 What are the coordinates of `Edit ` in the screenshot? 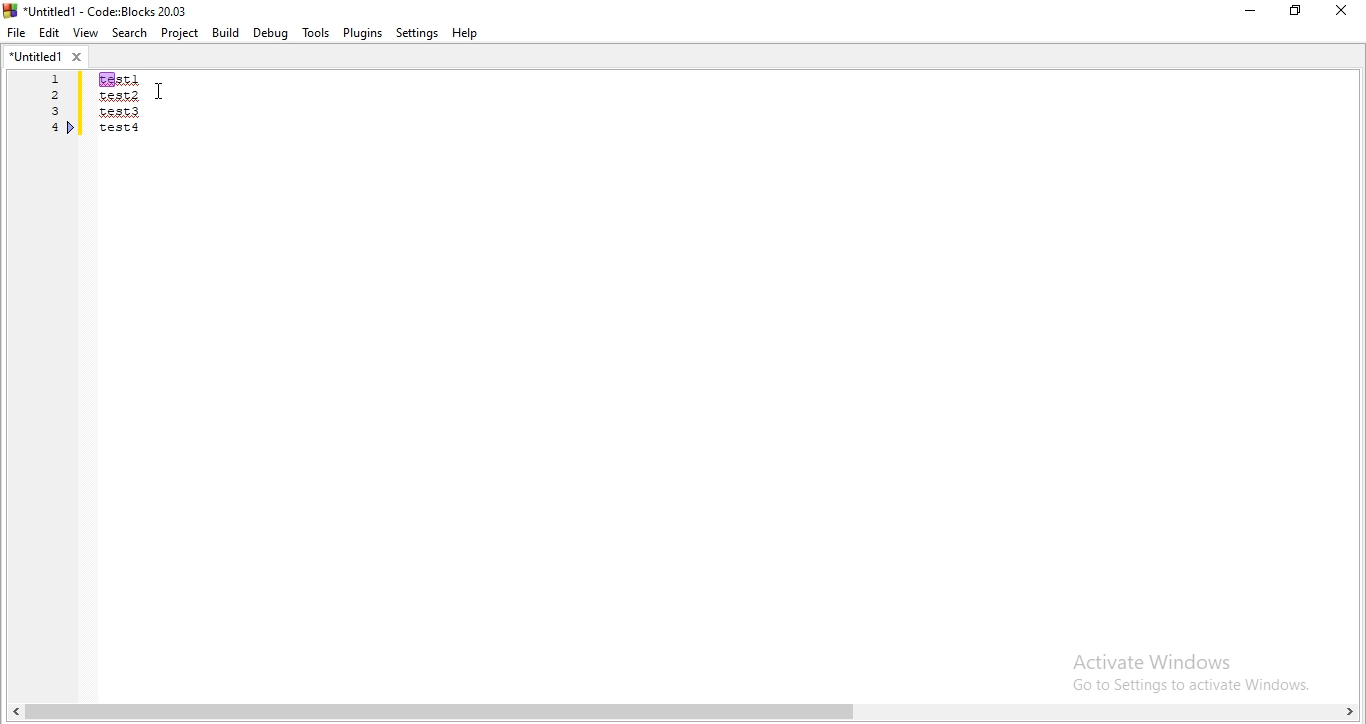 It's located at (48, 32).